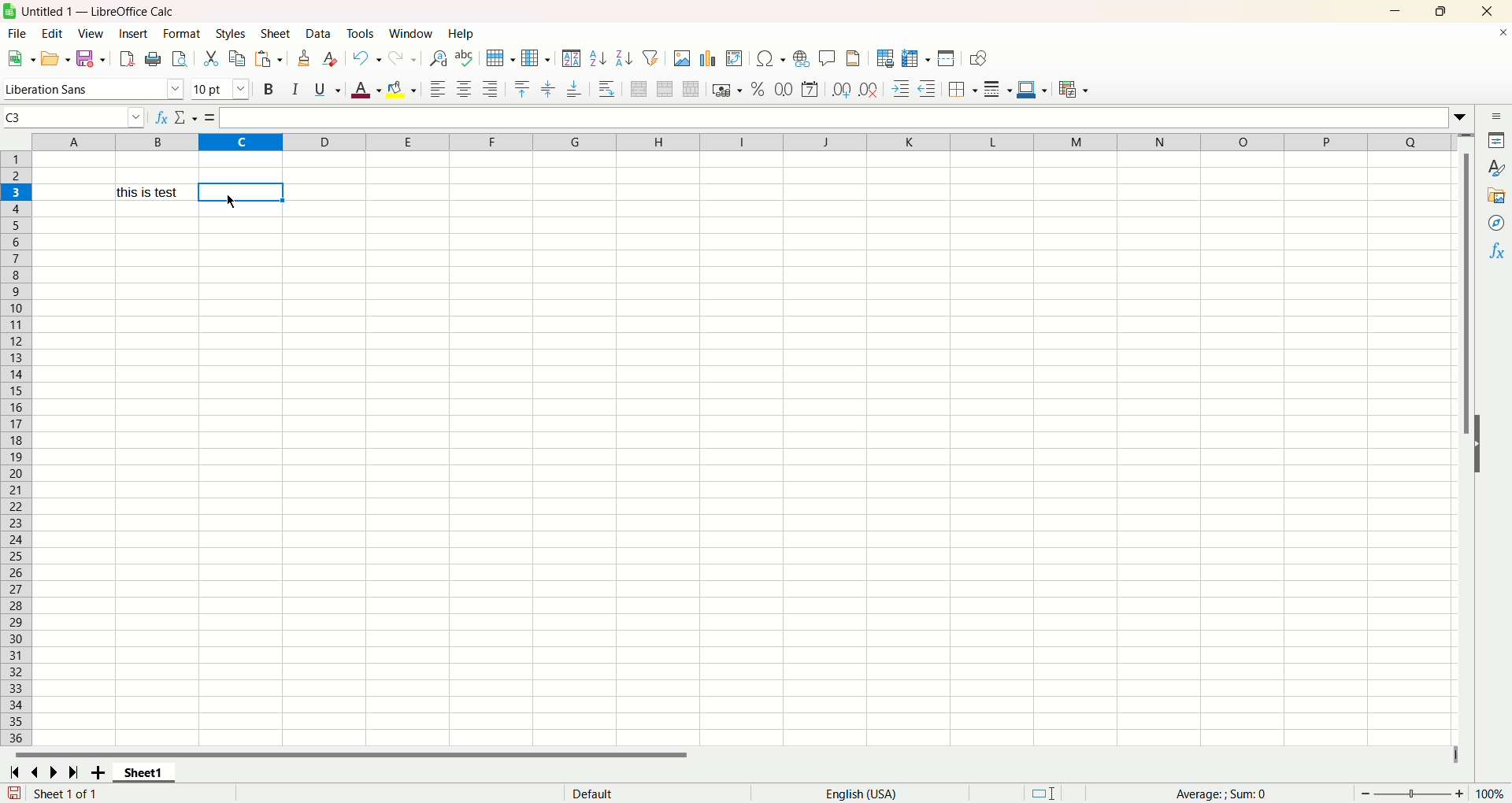  I want to click on chart, so click(708, 57).